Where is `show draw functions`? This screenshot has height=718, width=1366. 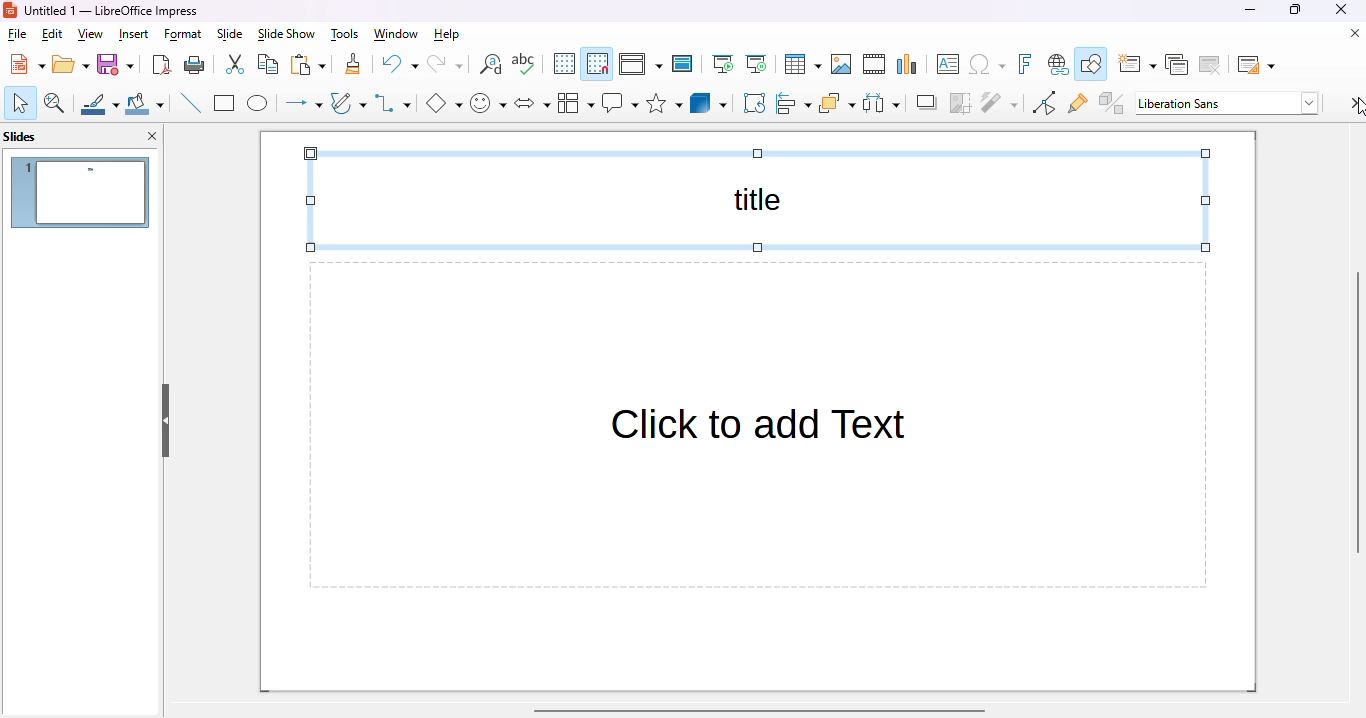
show draw functions is located at coordinates (1091, 63).